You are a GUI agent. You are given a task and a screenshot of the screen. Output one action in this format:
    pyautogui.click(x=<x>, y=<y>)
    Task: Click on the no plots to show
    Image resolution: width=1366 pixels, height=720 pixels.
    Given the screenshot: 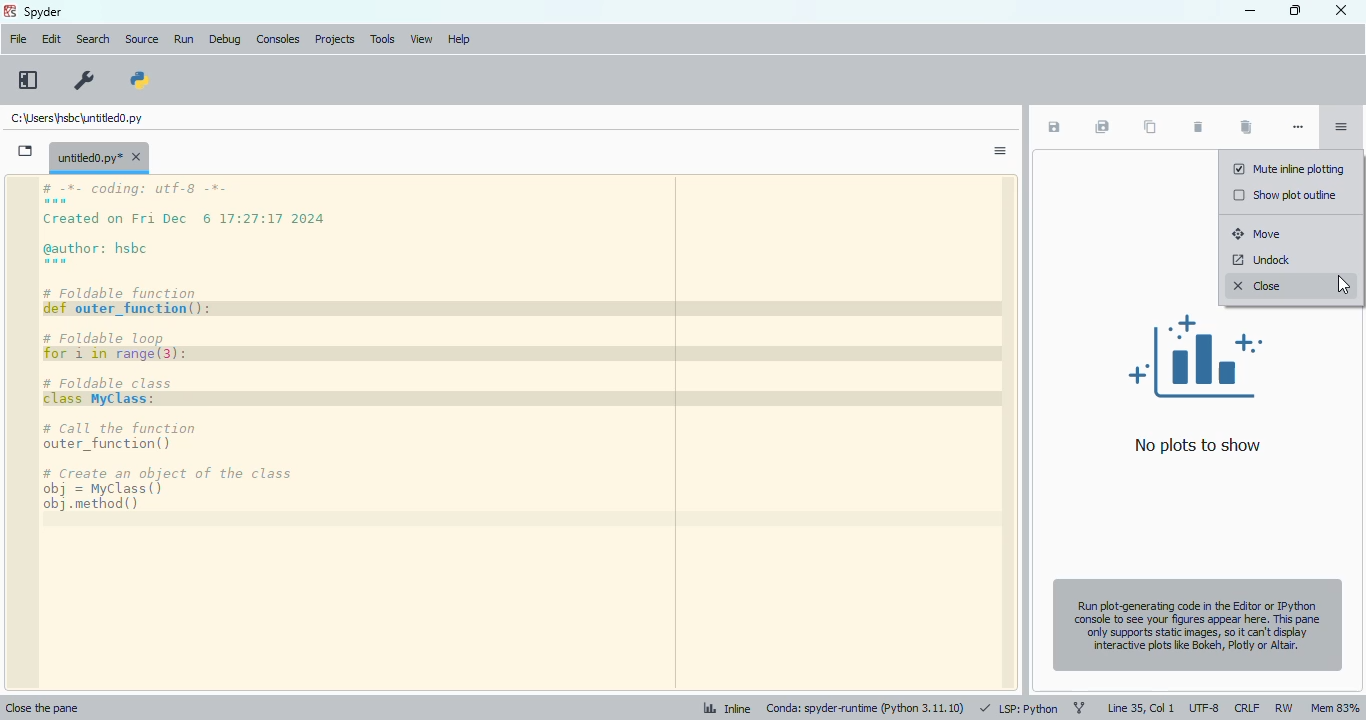 What is the action you would take?
    pyautogui.click(x=1197, y=383)
    